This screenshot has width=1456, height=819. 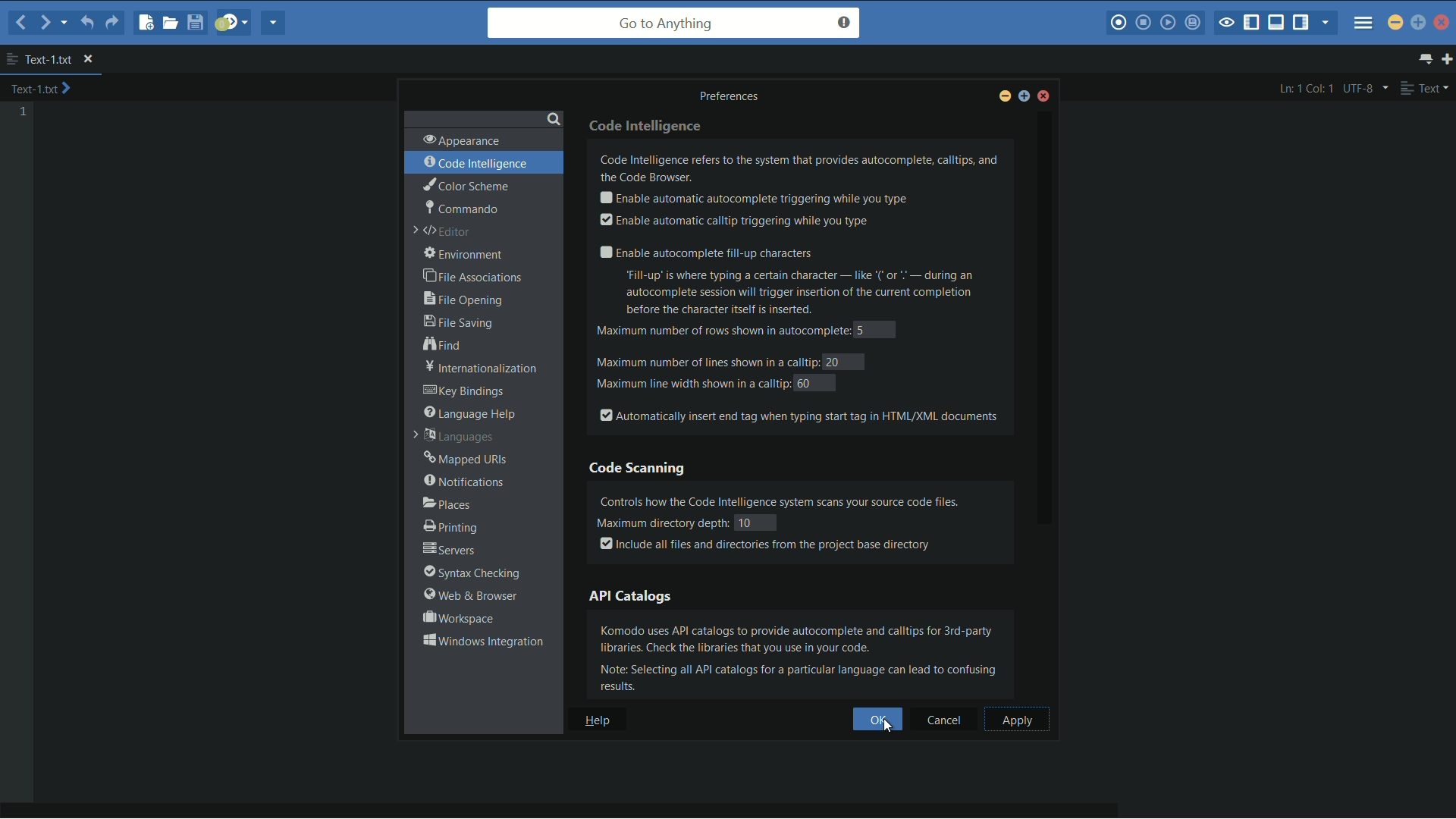 I want to click on code scanning, so click(x=639, y=469).